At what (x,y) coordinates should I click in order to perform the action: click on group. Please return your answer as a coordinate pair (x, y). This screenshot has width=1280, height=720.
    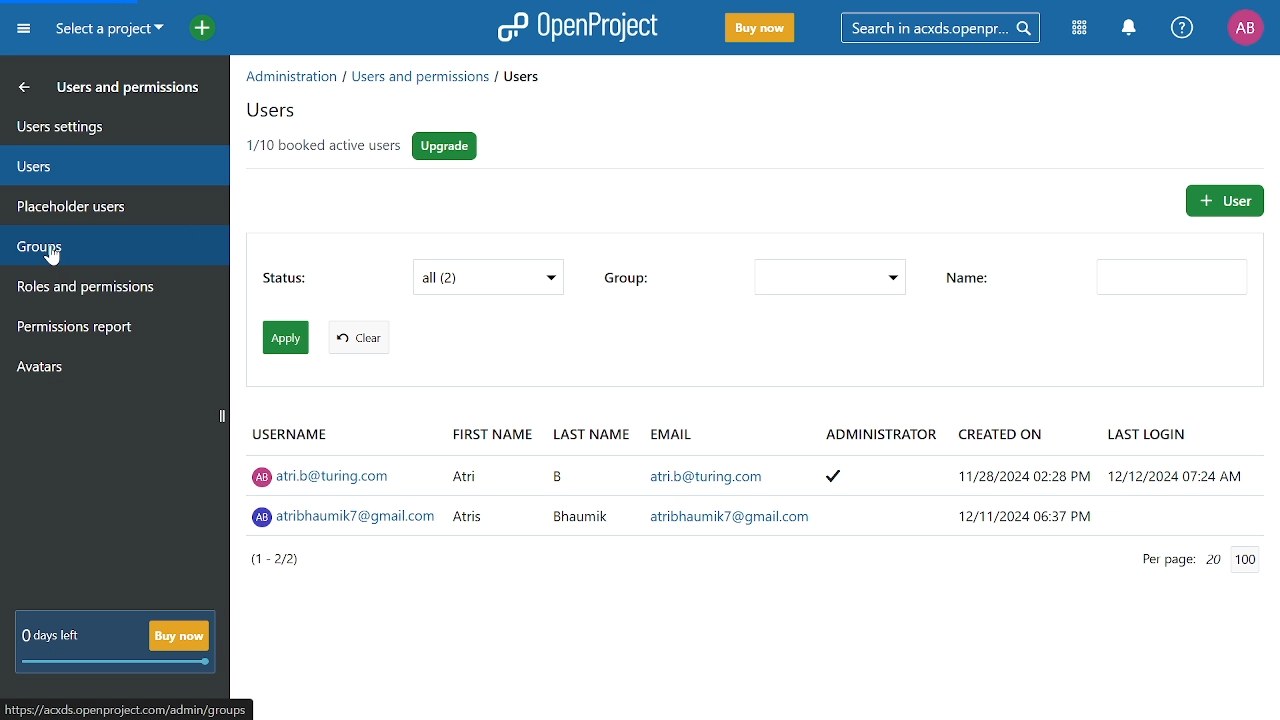
    Looking at the image, I should click on (625, 278).